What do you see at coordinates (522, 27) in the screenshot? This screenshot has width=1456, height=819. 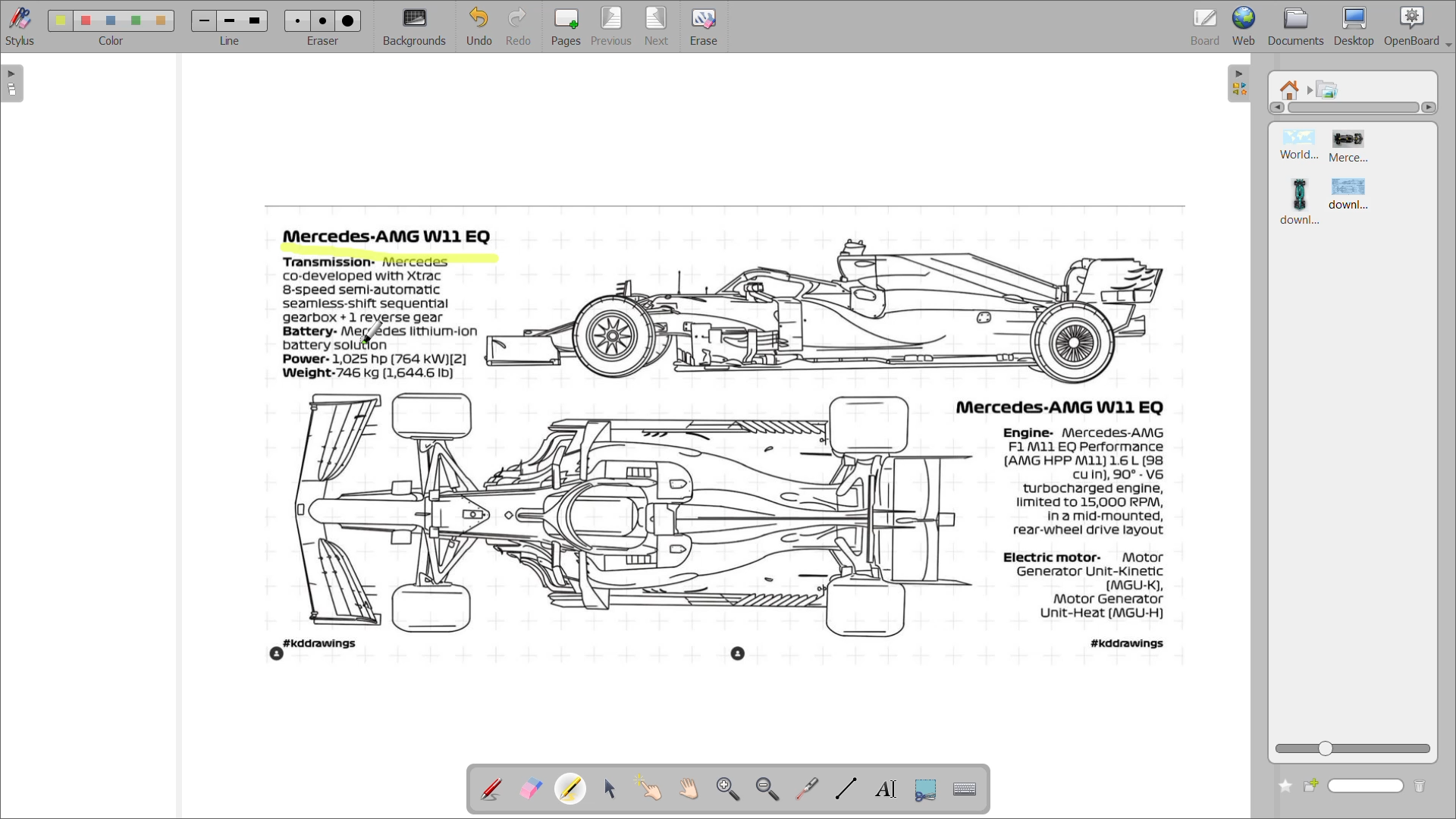 I see `redo` at bounding box center [522, 27].